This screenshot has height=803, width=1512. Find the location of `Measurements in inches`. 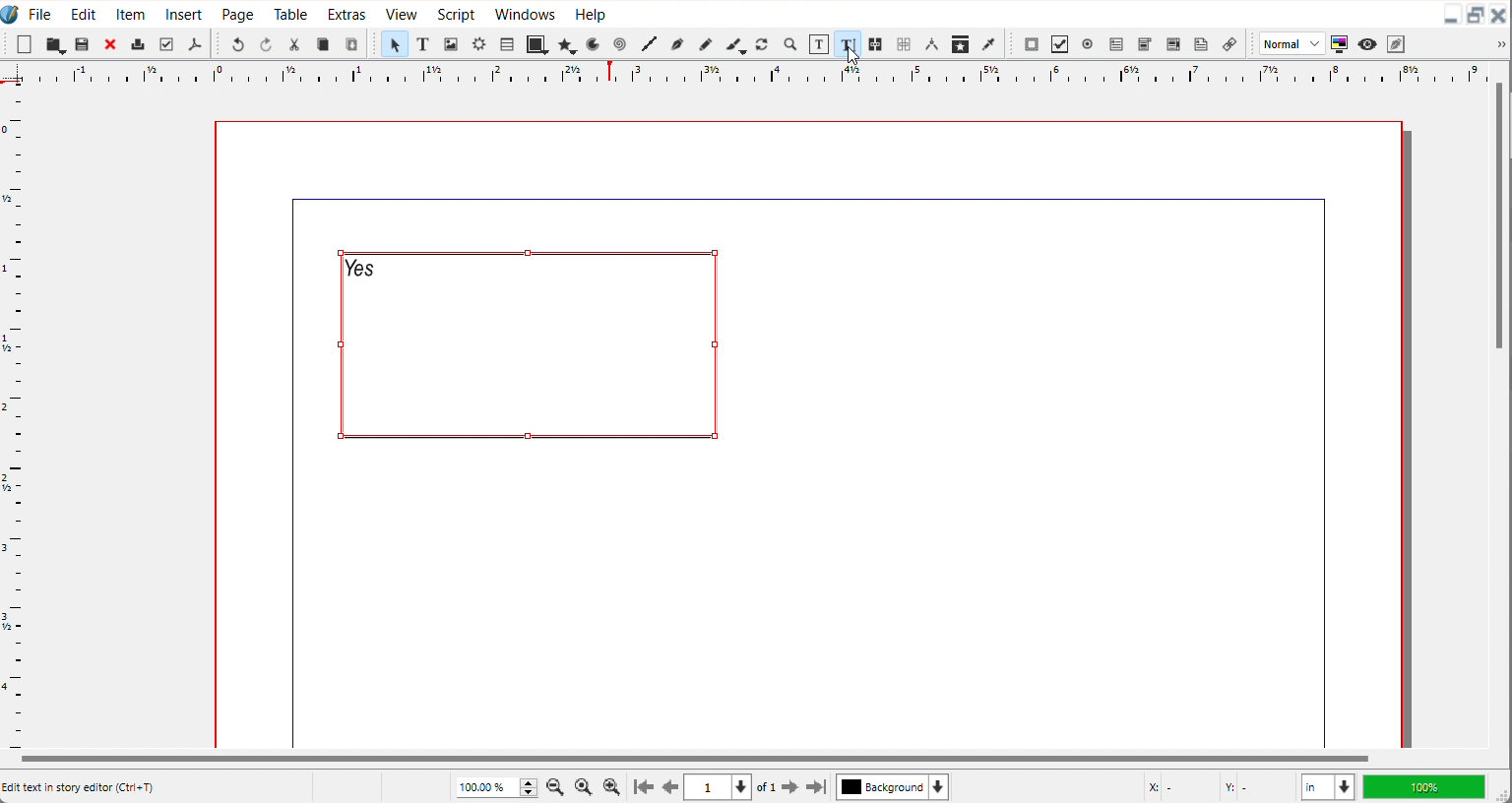

Measurements in inches is located at coordinates (1328, 787).